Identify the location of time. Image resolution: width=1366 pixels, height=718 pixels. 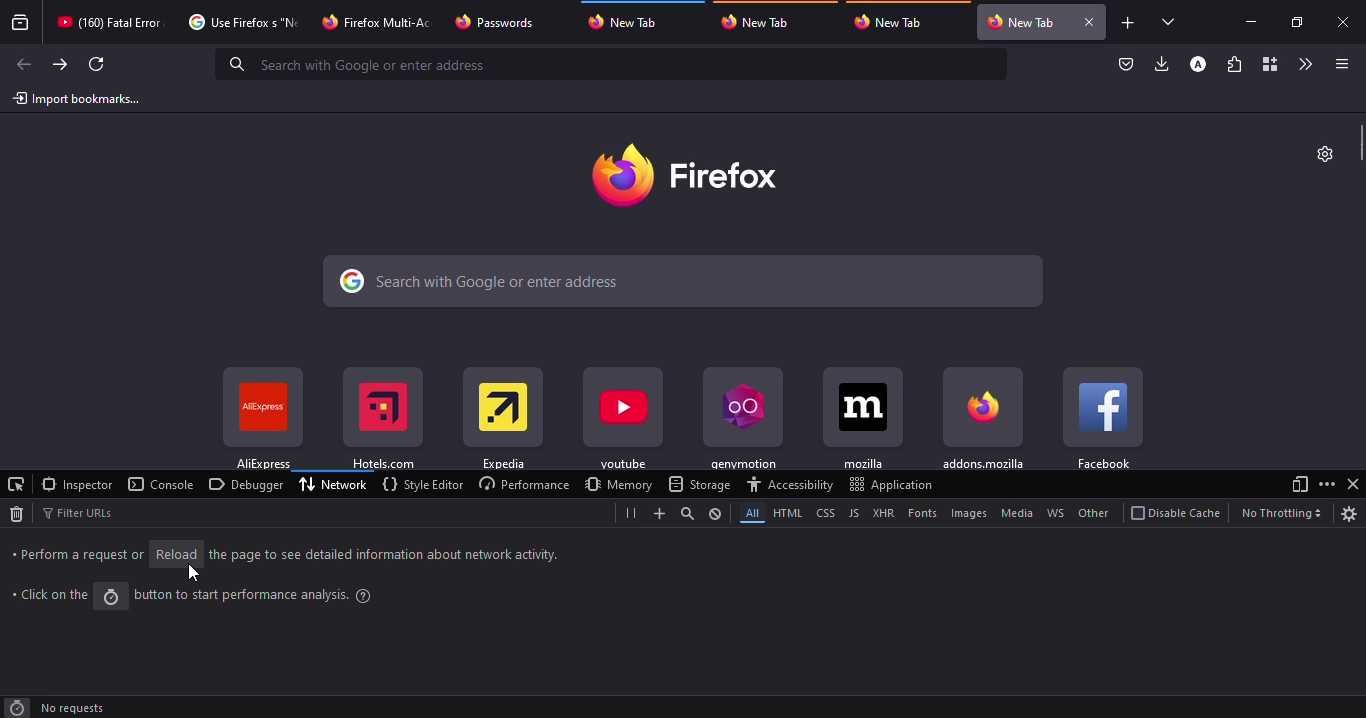
(16, 708).